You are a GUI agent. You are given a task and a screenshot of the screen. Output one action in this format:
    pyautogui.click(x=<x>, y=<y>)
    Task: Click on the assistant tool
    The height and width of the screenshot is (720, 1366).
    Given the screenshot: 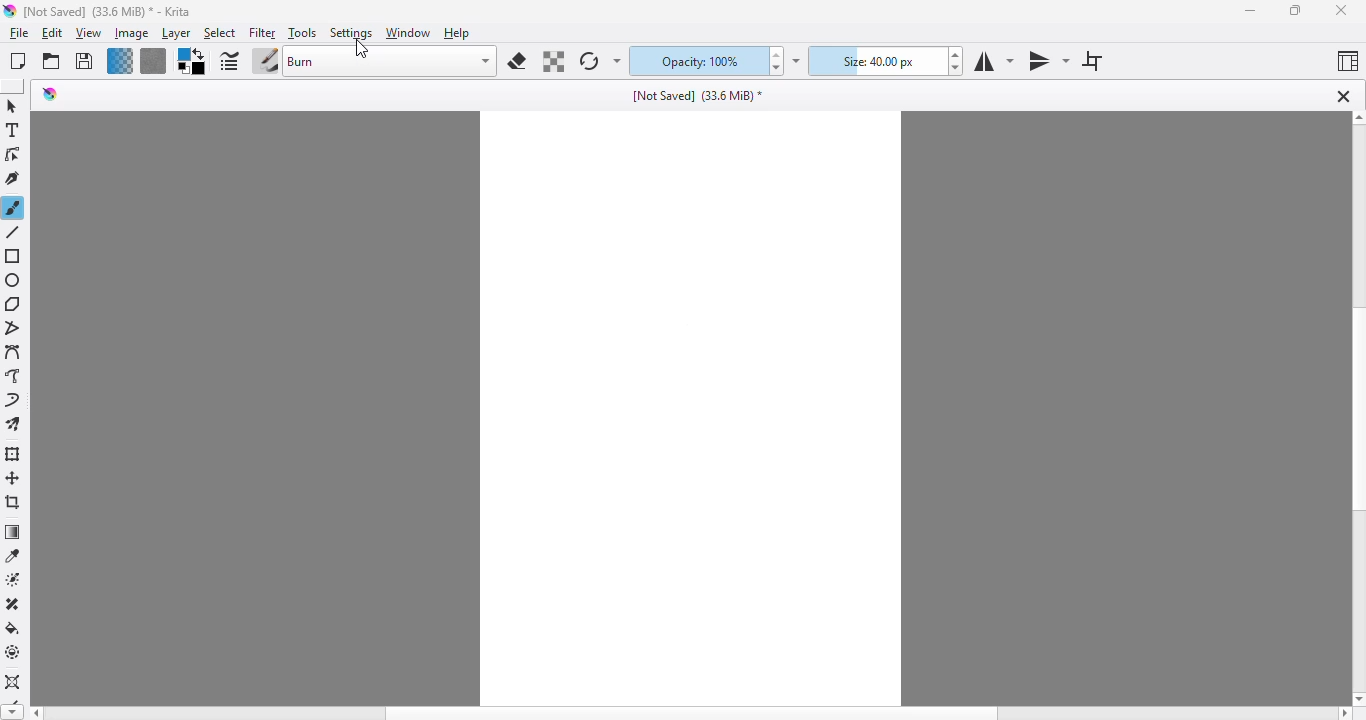 What is the action you would take?
    pyautogui.click(x=13, y=683)
    